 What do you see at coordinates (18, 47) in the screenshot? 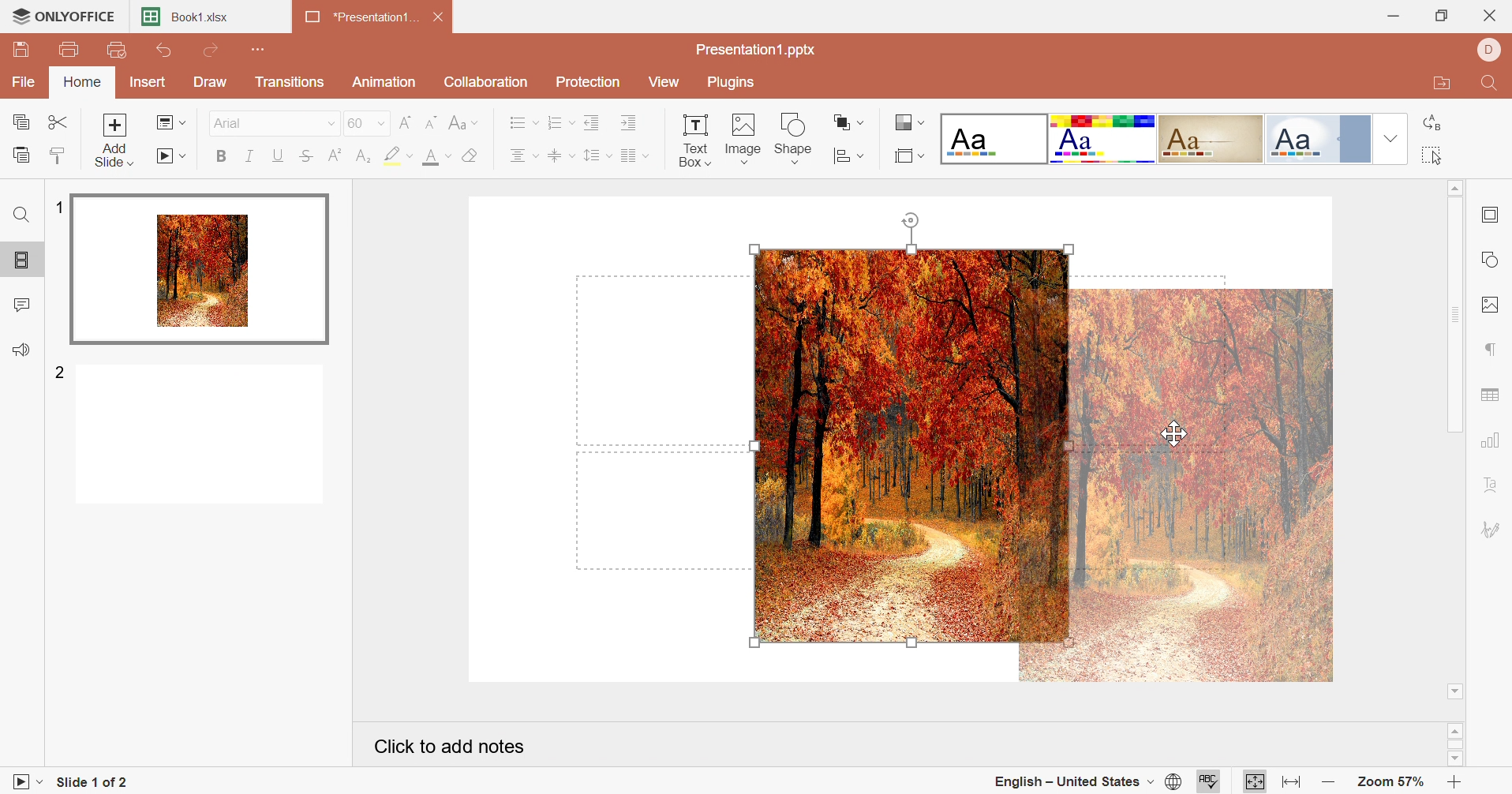
I see `Save` at bounding box center [18, 47].